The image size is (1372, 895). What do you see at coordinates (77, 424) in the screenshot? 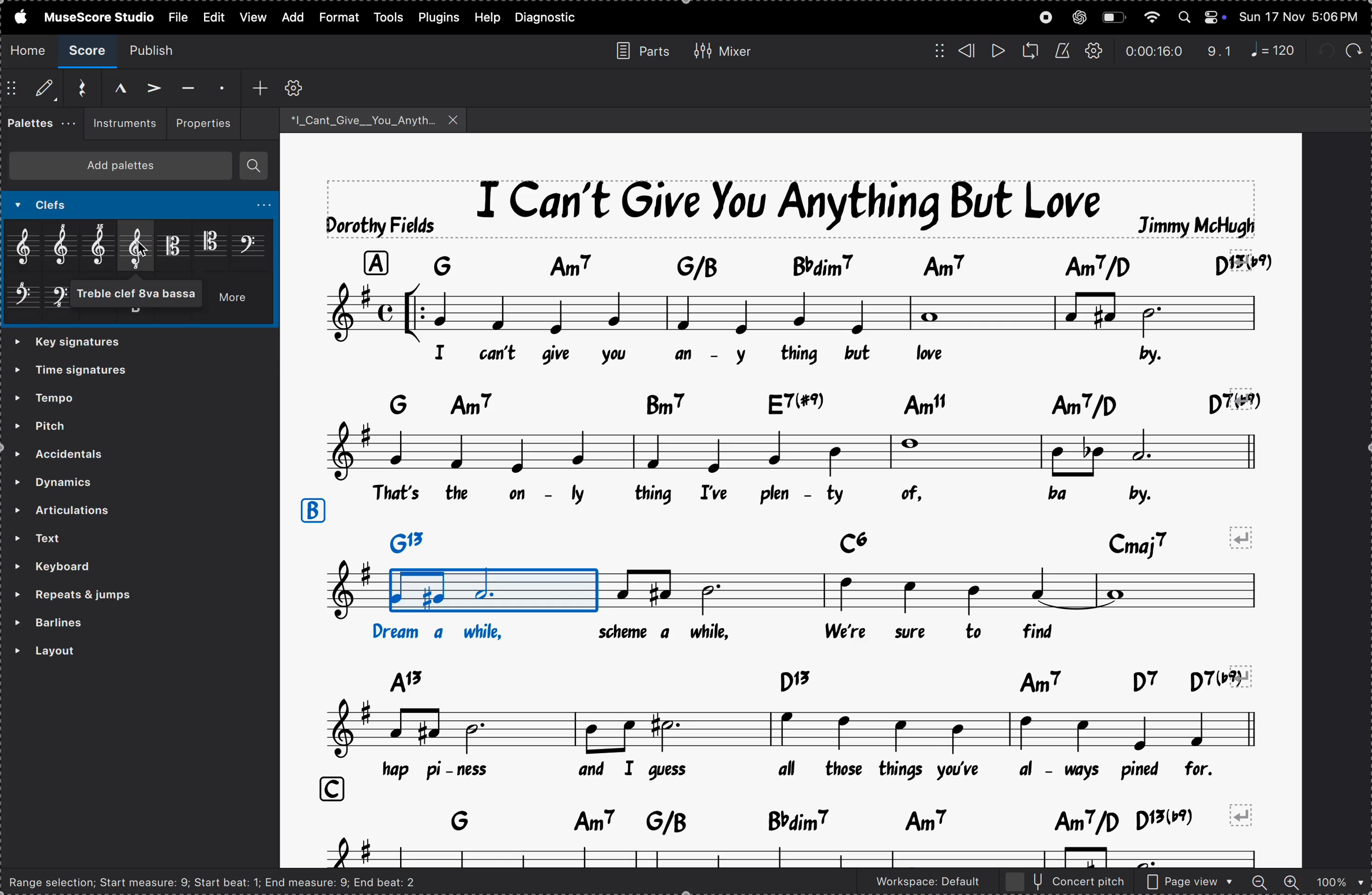
I see `pitch` at bounding box center [77, 424].